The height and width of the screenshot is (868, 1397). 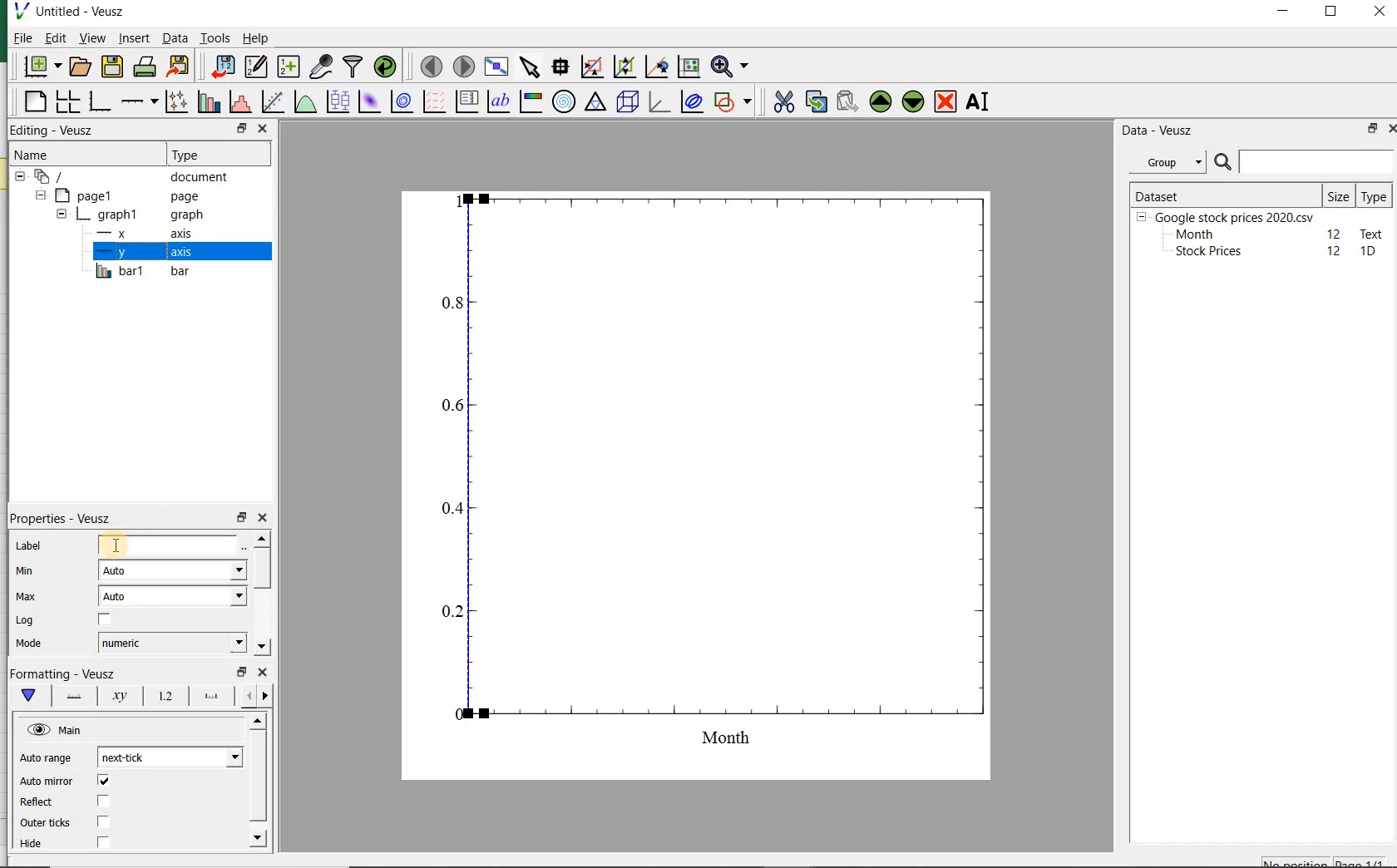 What do you see at coordinates (54, 131) in the screenshot?
I see `Editing - Veusz` at bounding box center [54, 131].